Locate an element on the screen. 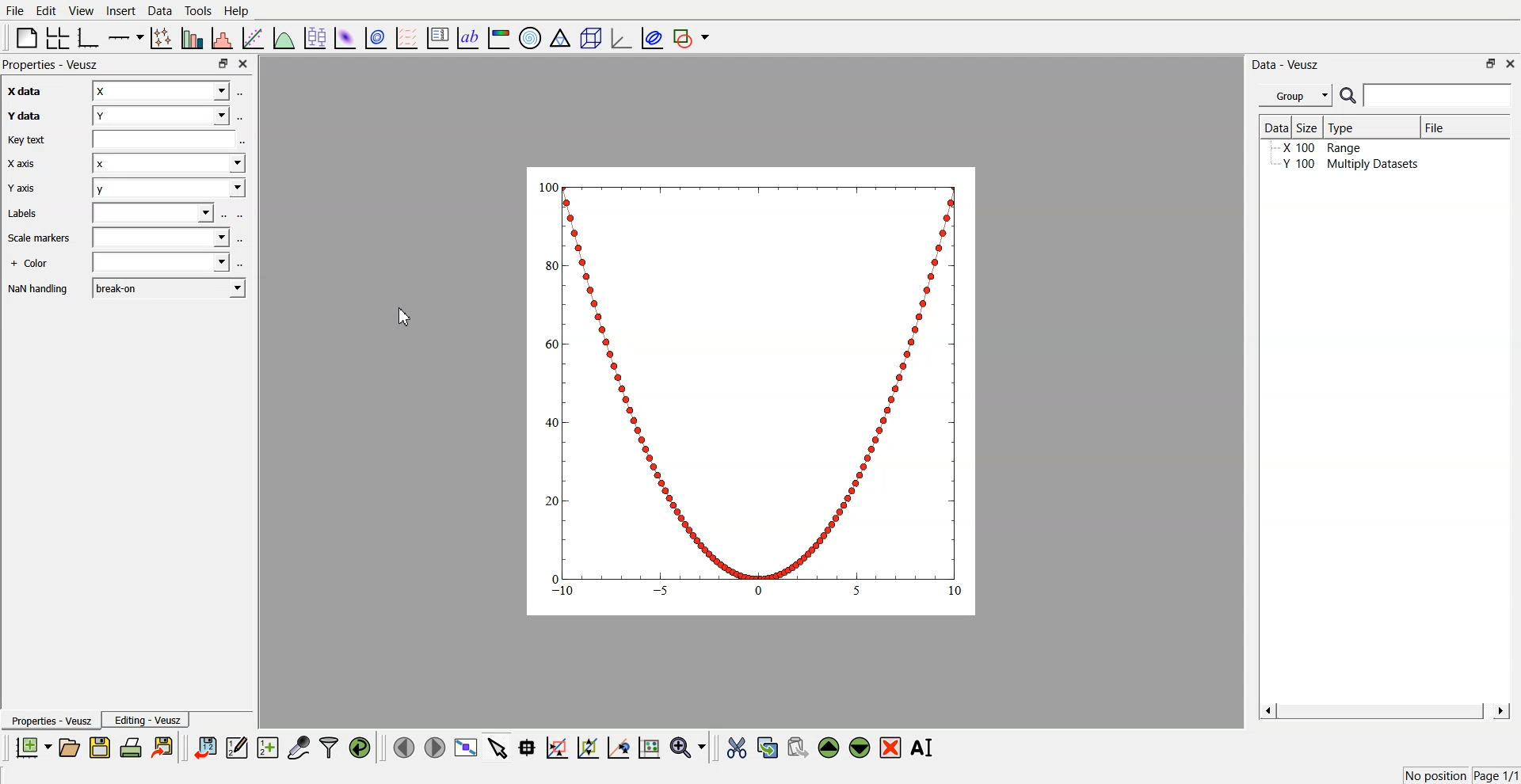  key text is located at coordinates (30, 140).